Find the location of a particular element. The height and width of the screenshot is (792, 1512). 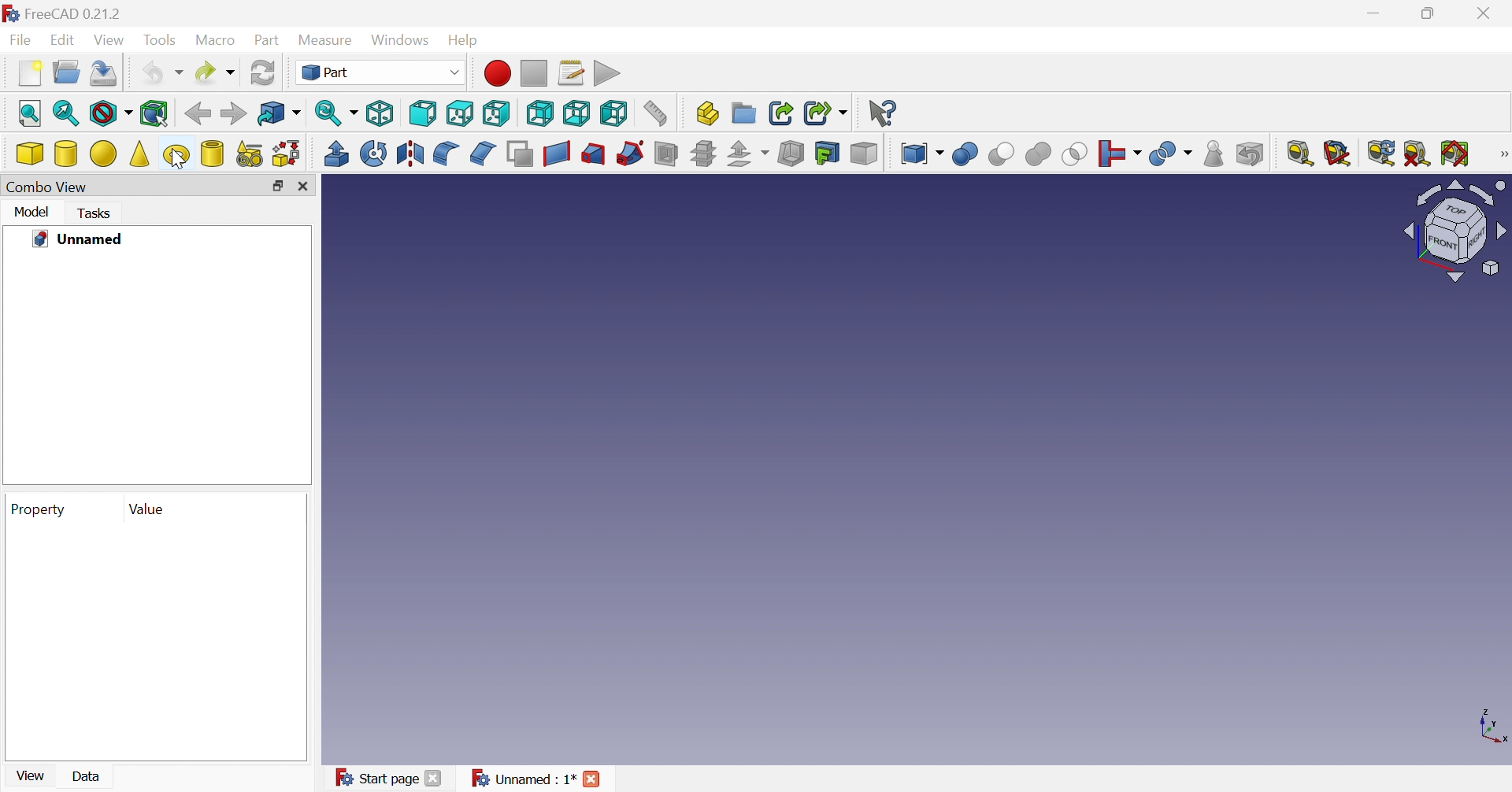

Create ruled surface is located at coordinates (556, 154).